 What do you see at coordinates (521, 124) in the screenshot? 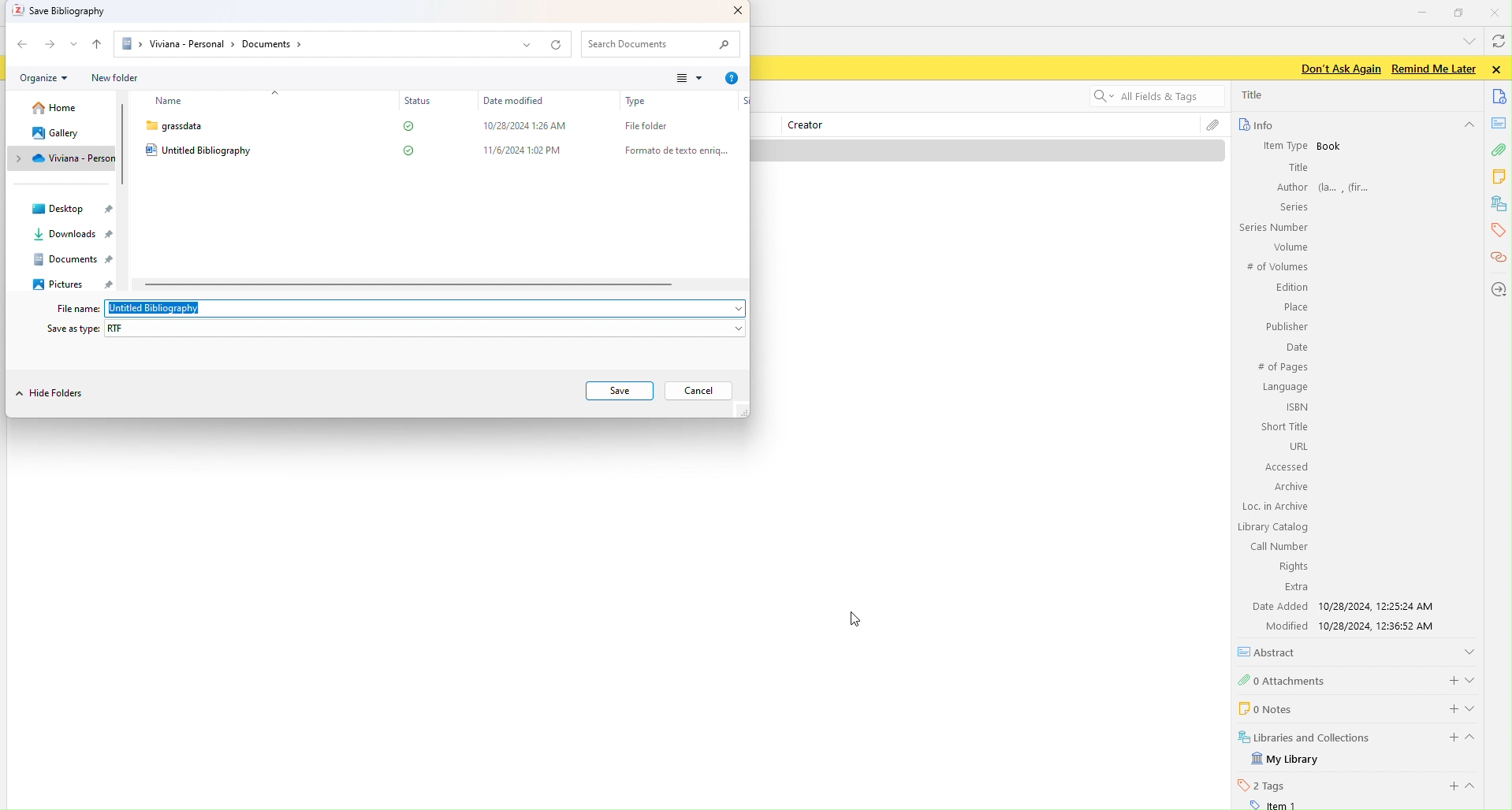
I see `10/28/2024 1:26 AM` at bounding box center [521, 124].